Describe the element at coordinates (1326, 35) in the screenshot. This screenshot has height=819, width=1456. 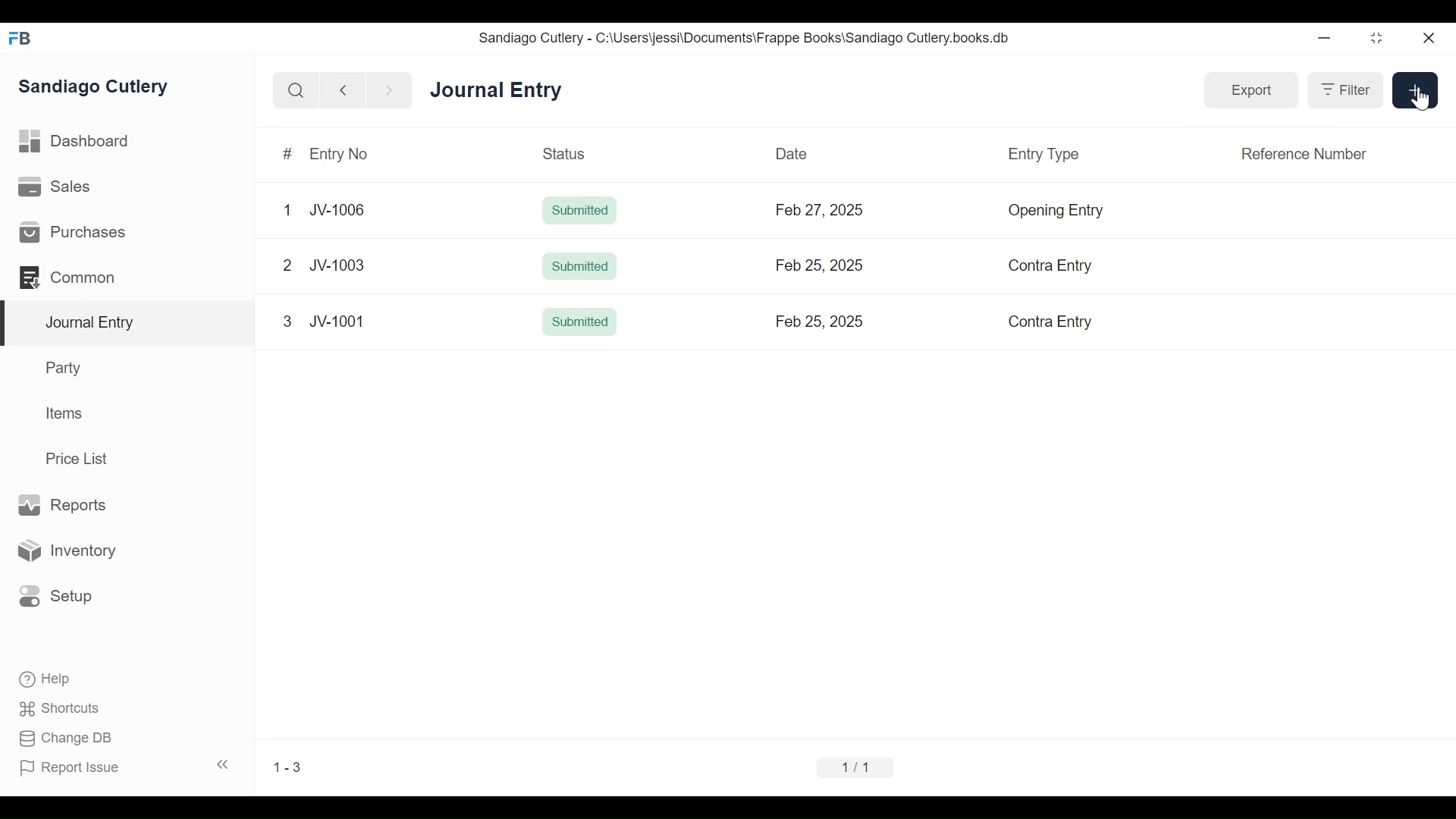
I see `minimize` at that location.